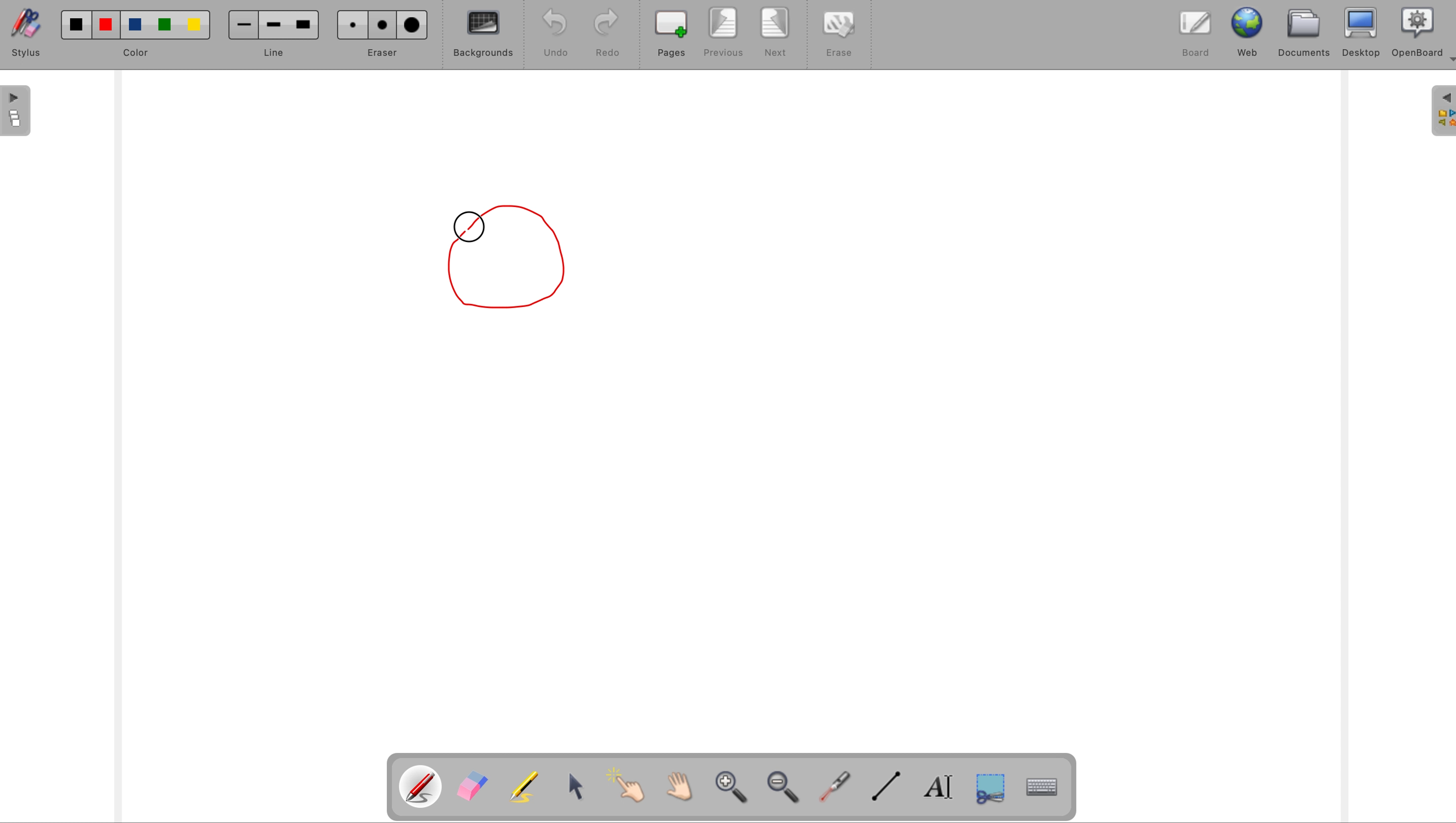 This screenshot has width=1456, height=823. I want to click on zoom in, so click(731, 790).